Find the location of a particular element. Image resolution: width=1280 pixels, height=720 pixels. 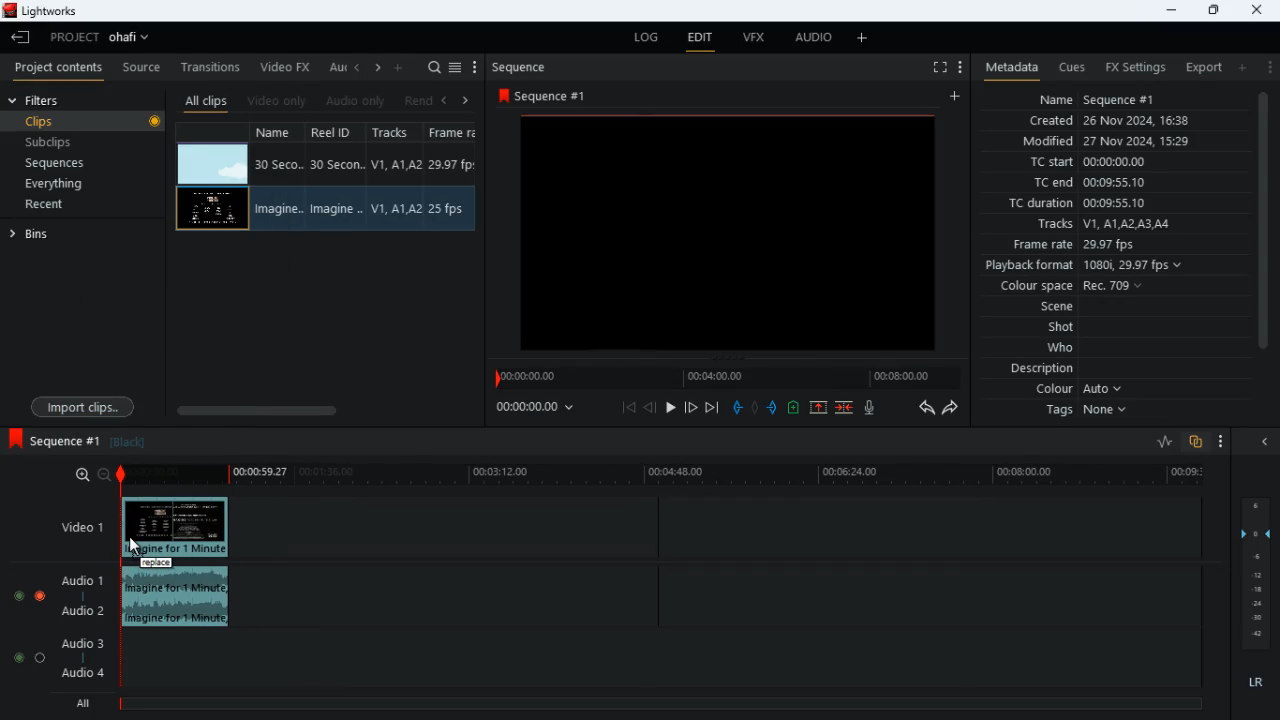

video only is located at coordinates (278, 101).